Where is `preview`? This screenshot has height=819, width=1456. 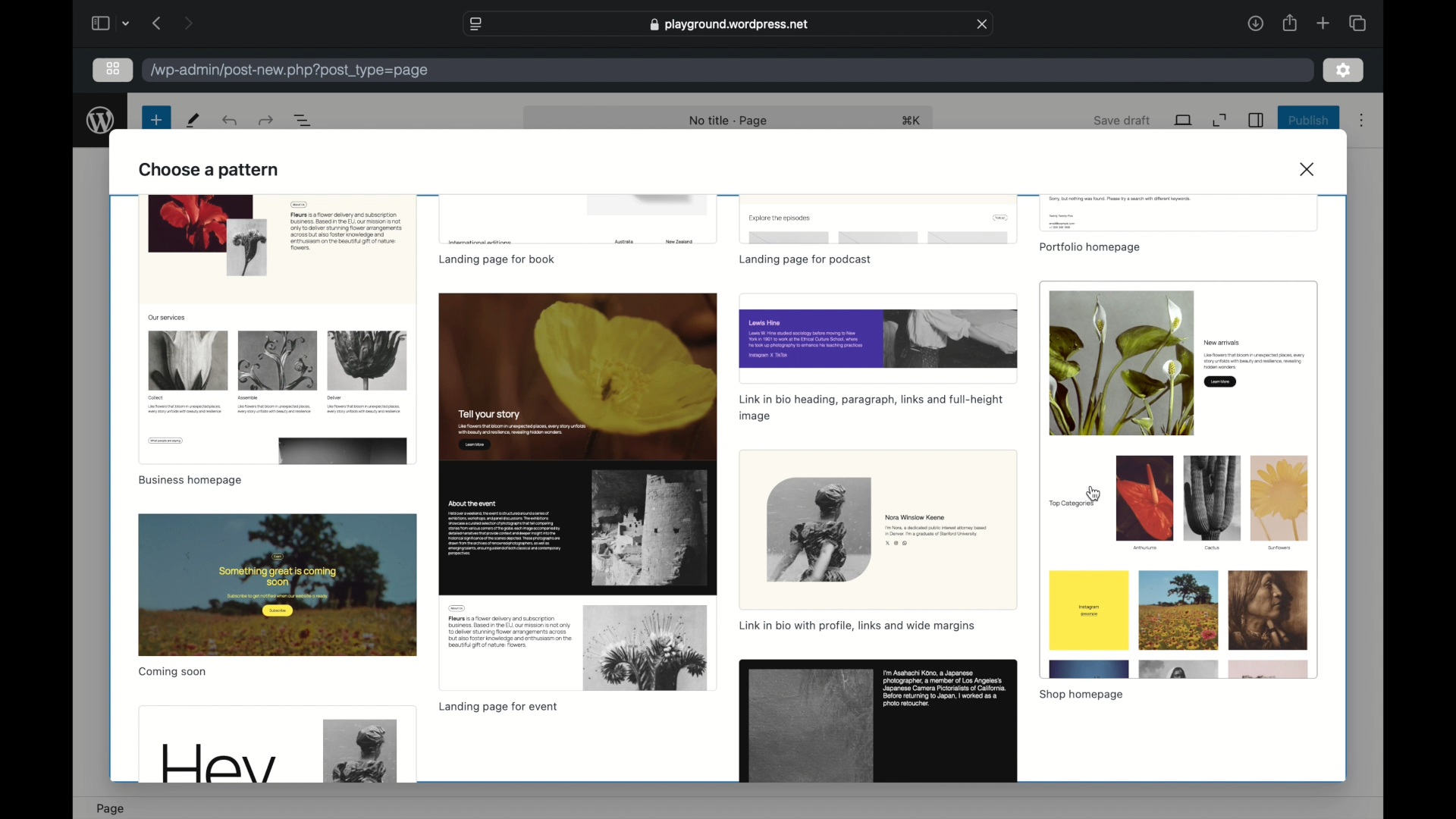 preview is located at coordinates (879, 218).